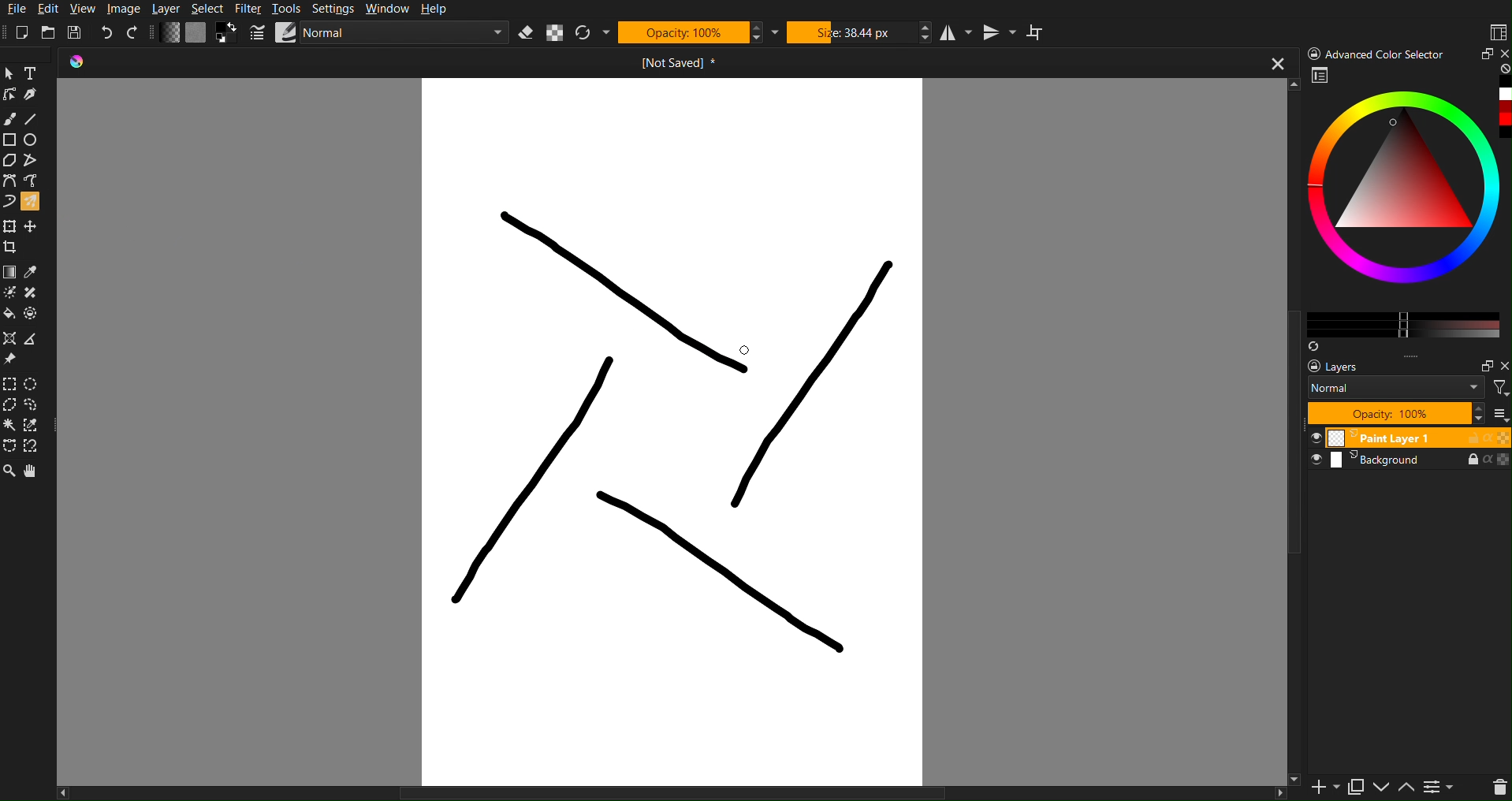 This screenshot has width=1512, height=801. What do you see at coordinates (739, 349) in the screenshot?
I see `Cursor` at bounding box center [739, 349].